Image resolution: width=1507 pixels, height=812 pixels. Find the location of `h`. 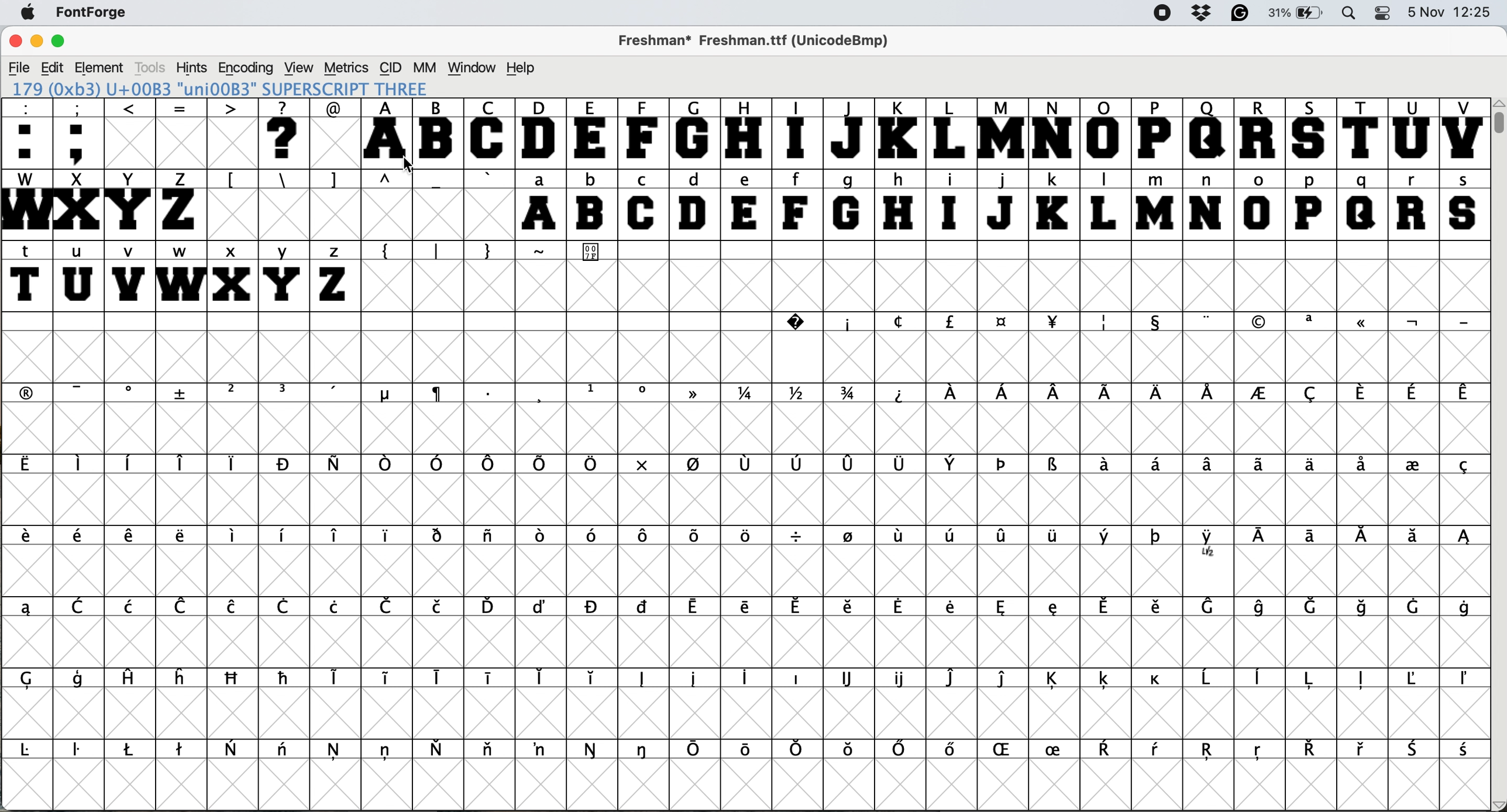

h is located at coordinates (902, 204).